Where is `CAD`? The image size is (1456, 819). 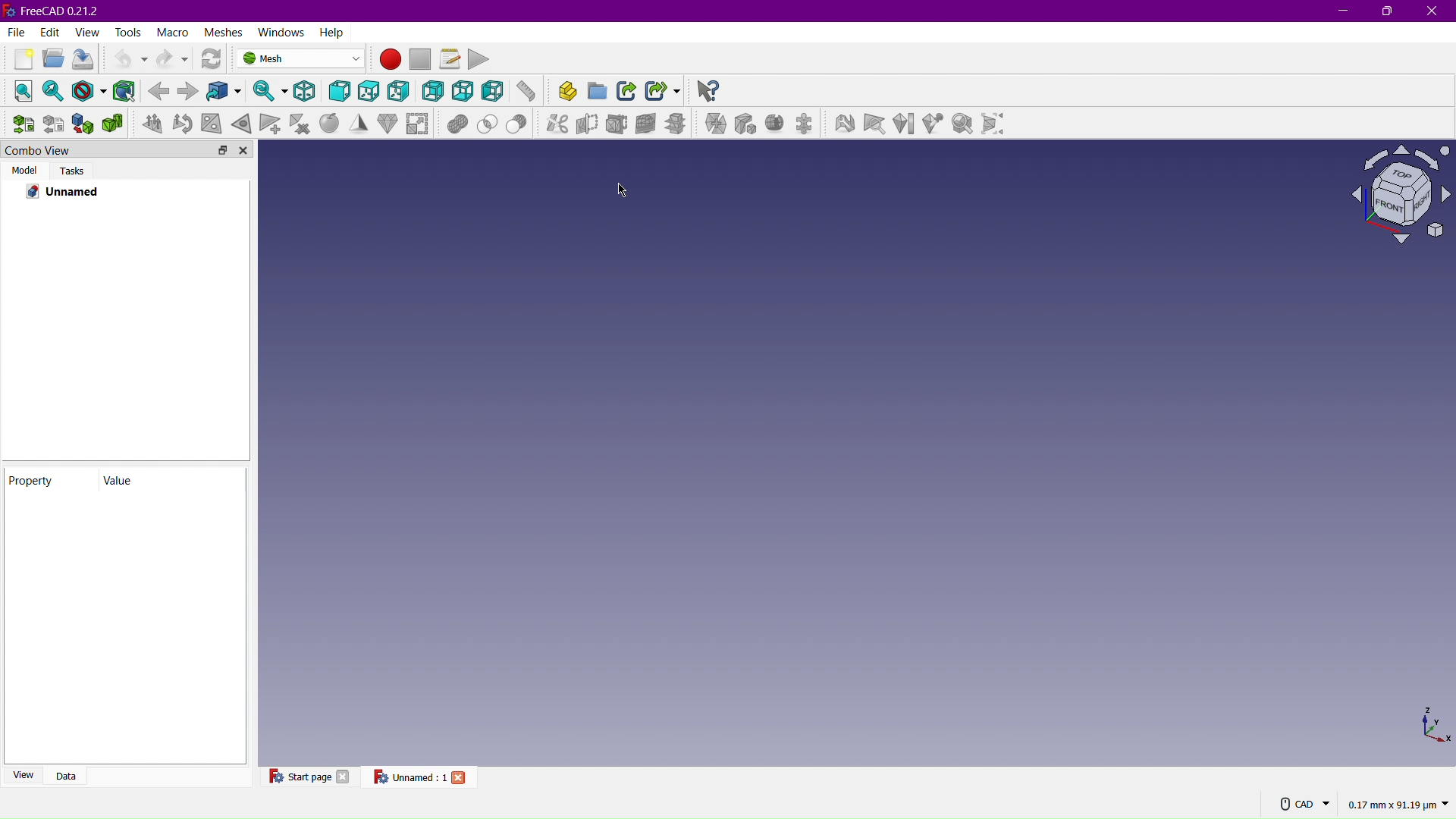
CAD is located at coordinates (1305, 803).